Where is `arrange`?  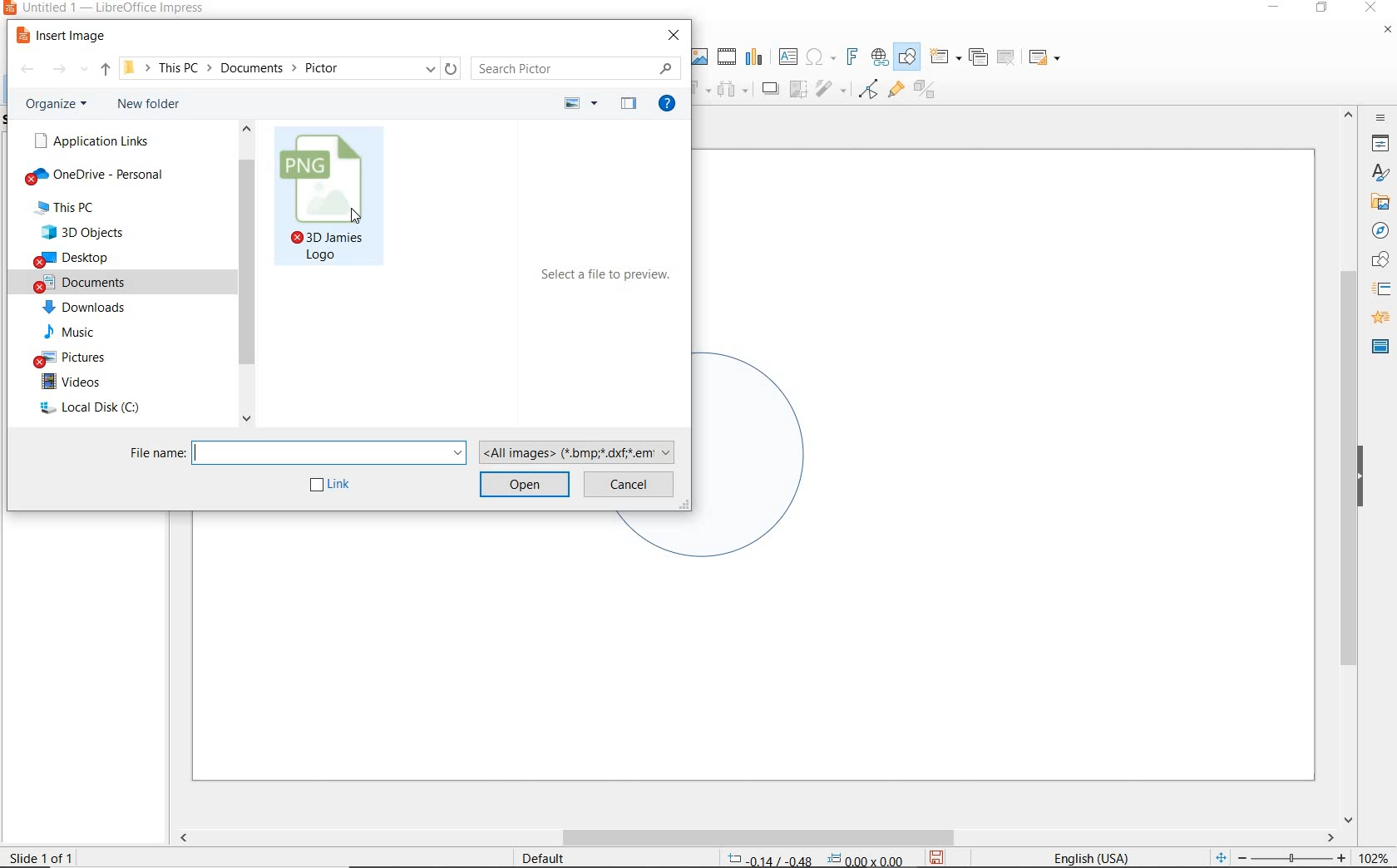
arrange is located at coordinates (700, 87).